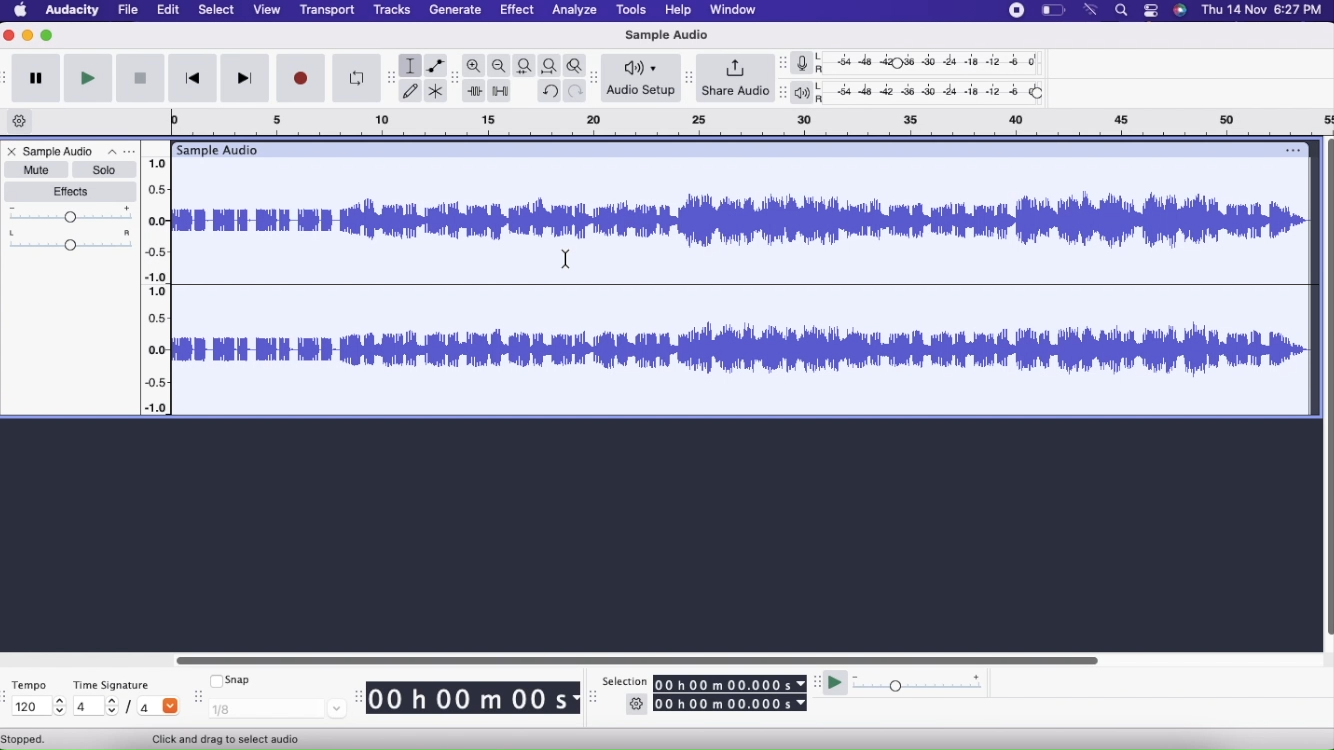 The image size is (1334, 750). Describe the element at coordinates (59, 151) in the screenshot. I see `Sample Audio` at that location.